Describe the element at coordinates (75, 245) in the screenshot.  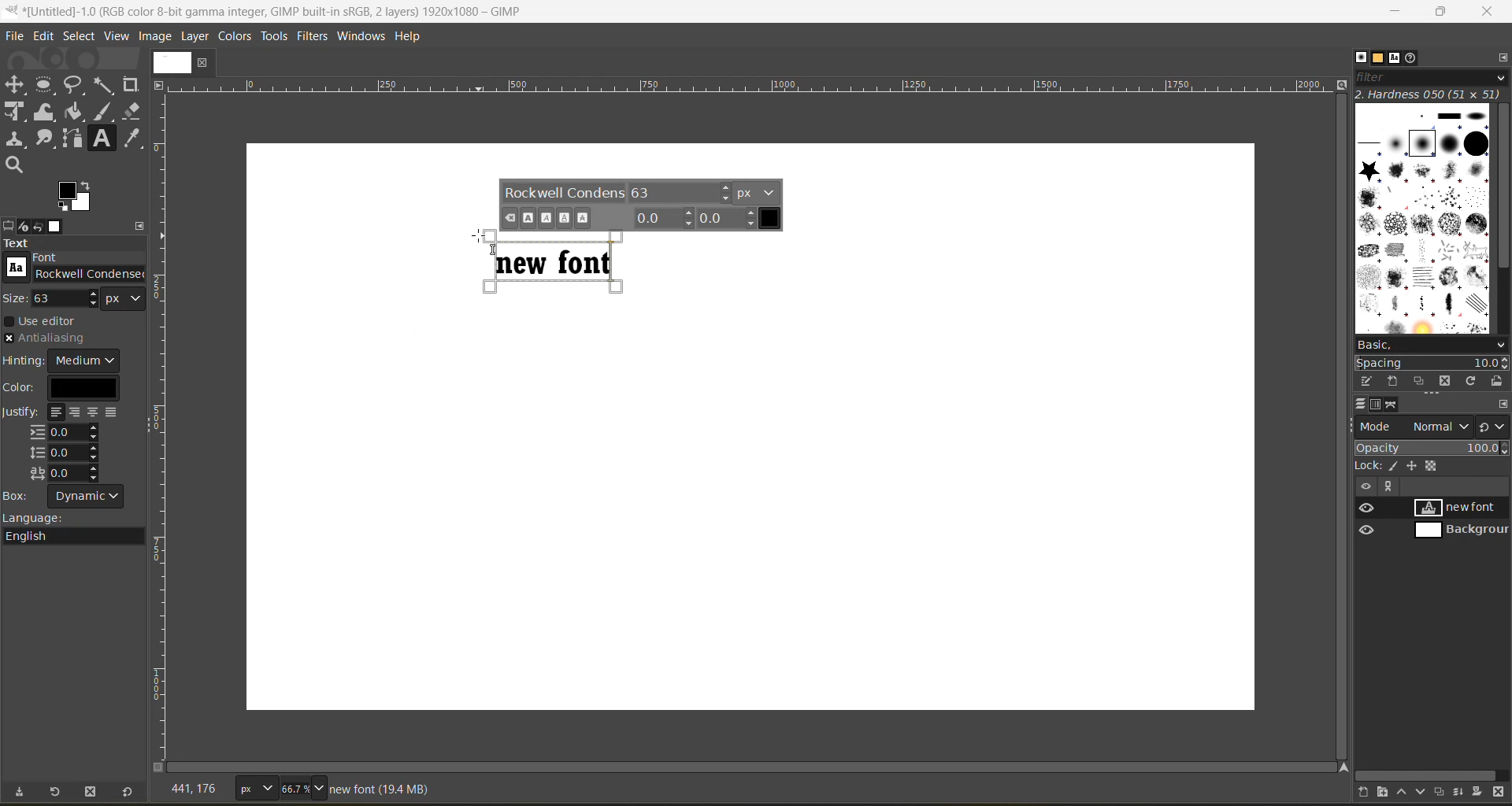
I see `text` at that location.